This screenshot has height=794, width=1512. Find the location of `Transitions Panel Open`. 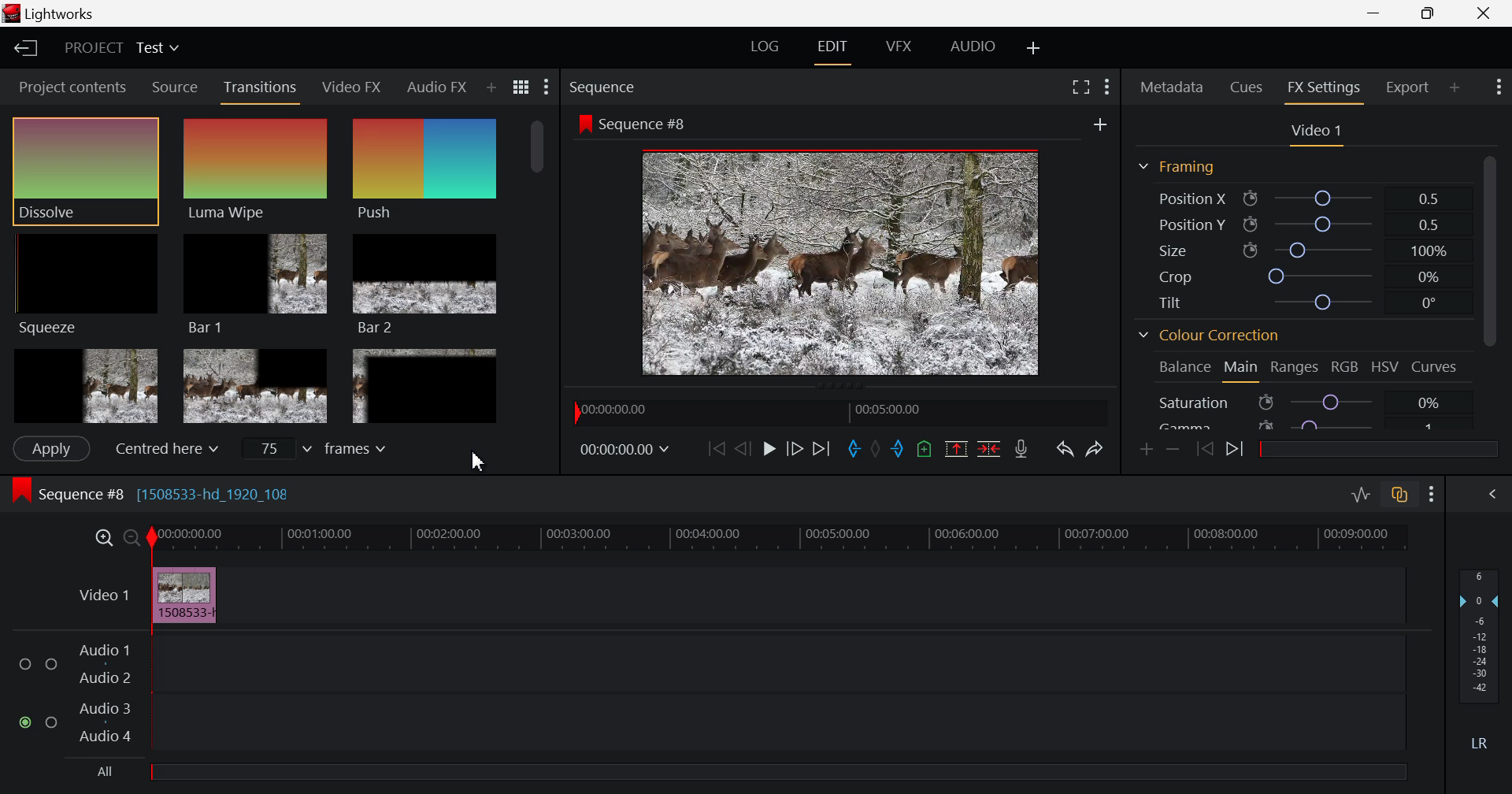

Transitions Panel Open is located at coordinates (261, 90).